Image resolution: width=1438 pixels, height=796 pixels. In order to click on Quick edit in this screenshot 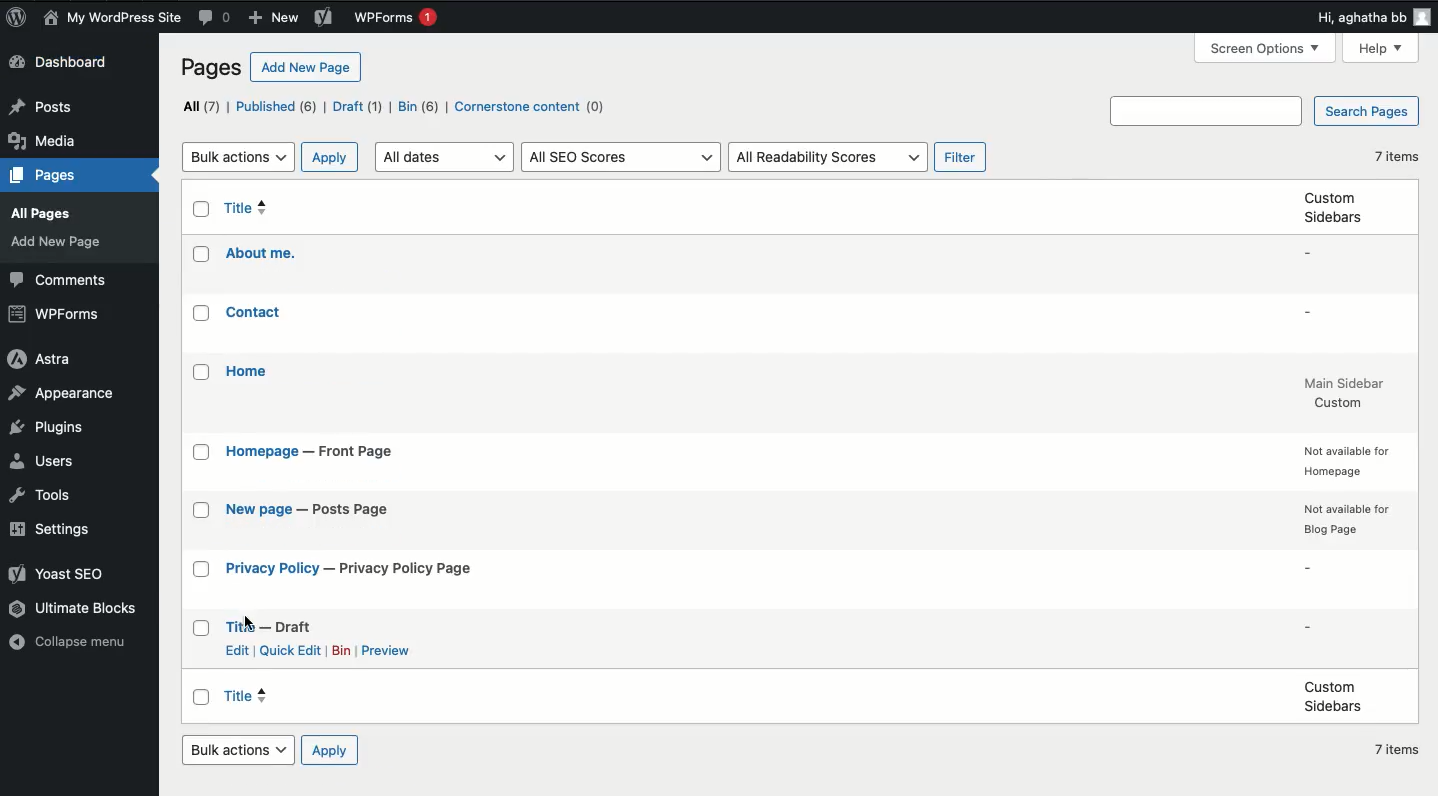, I will do `click(290, 652)`.